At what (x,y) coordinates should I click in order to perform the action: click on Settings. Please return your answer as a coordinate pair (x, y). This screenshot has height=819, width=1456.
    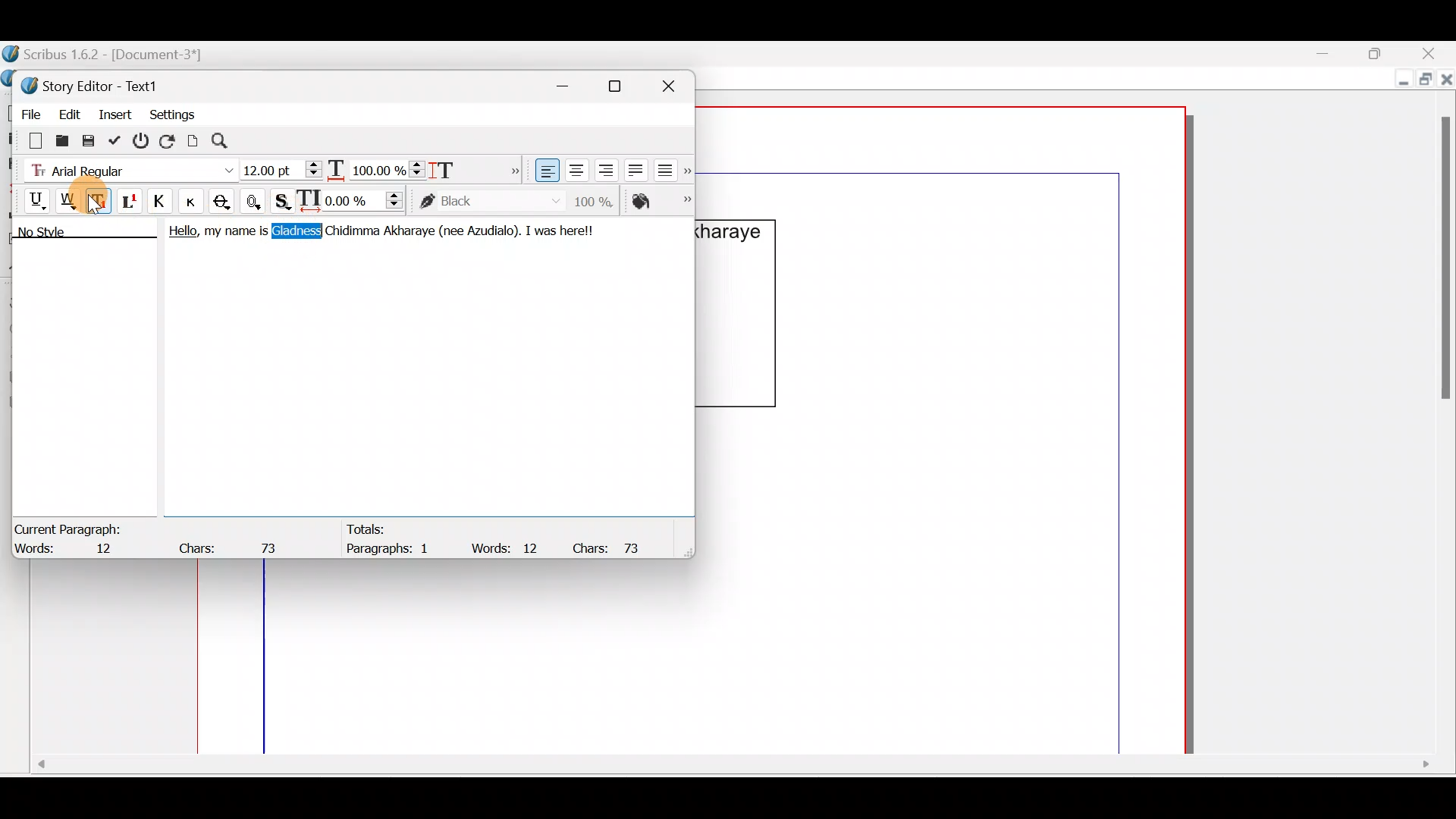
    Looking at the image, I should click on (172, 113).